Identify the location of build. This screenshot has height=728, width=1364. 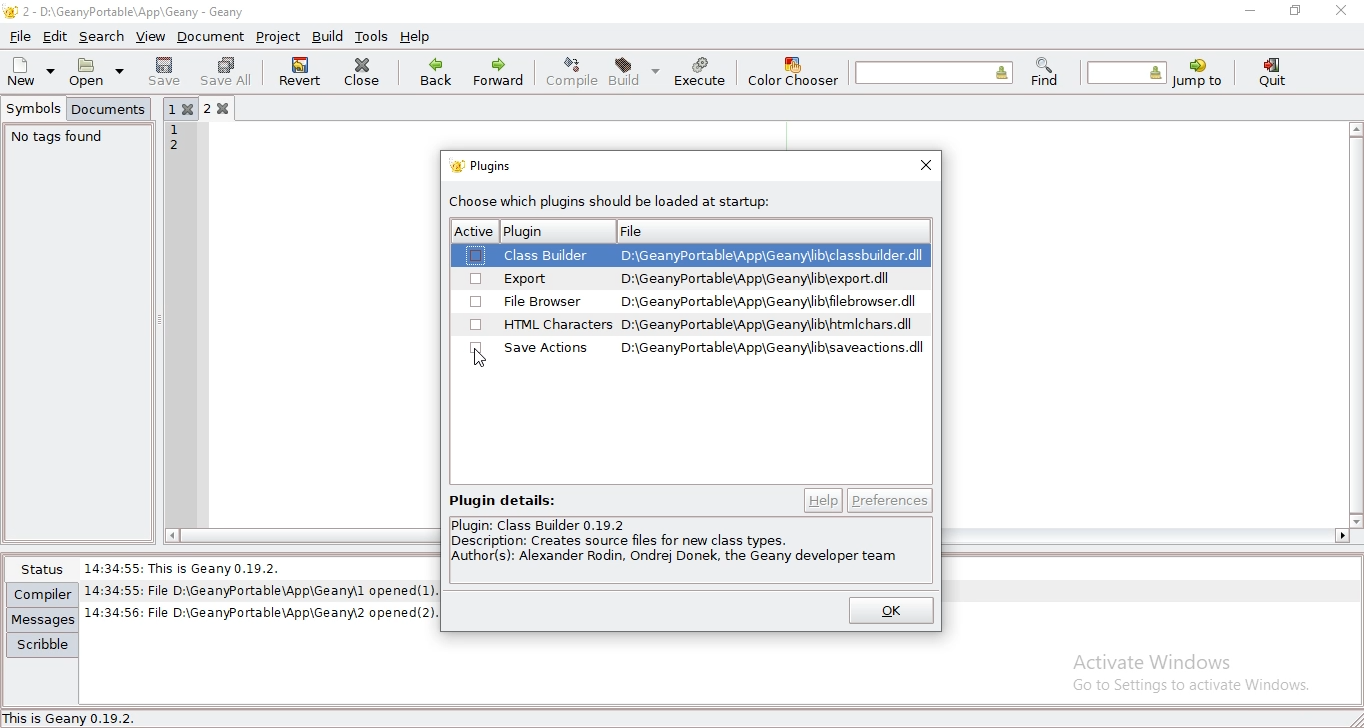
(330, 37).